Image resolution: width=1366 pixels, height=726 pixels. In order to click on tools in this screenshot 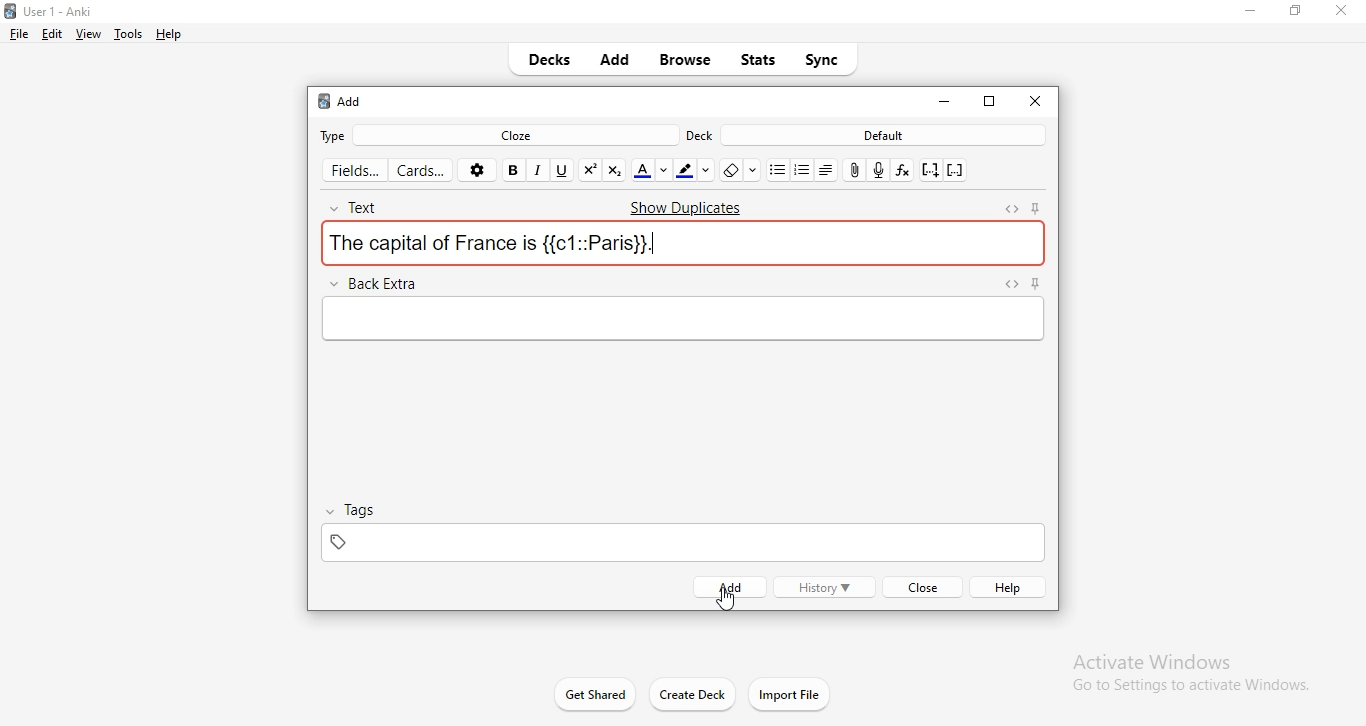, I will do `click(128, 36)`.